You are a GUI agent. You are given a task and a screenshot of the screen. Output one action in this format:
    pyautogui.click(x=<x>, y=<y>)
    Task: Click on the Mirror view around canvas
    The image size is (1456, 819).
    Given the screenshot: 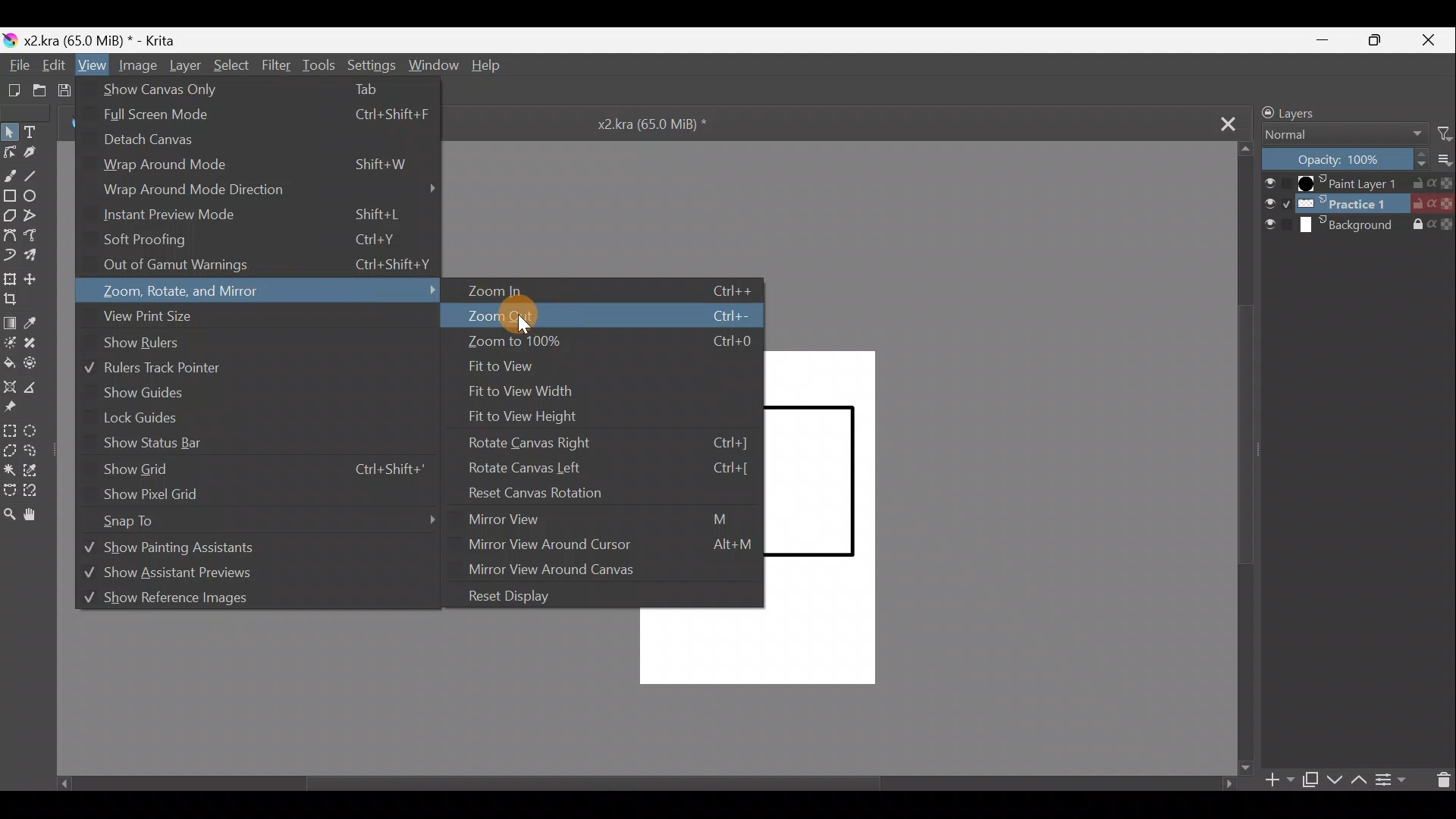 What is the action you would take?
    pyautogui.click(x=567, y=570)
    